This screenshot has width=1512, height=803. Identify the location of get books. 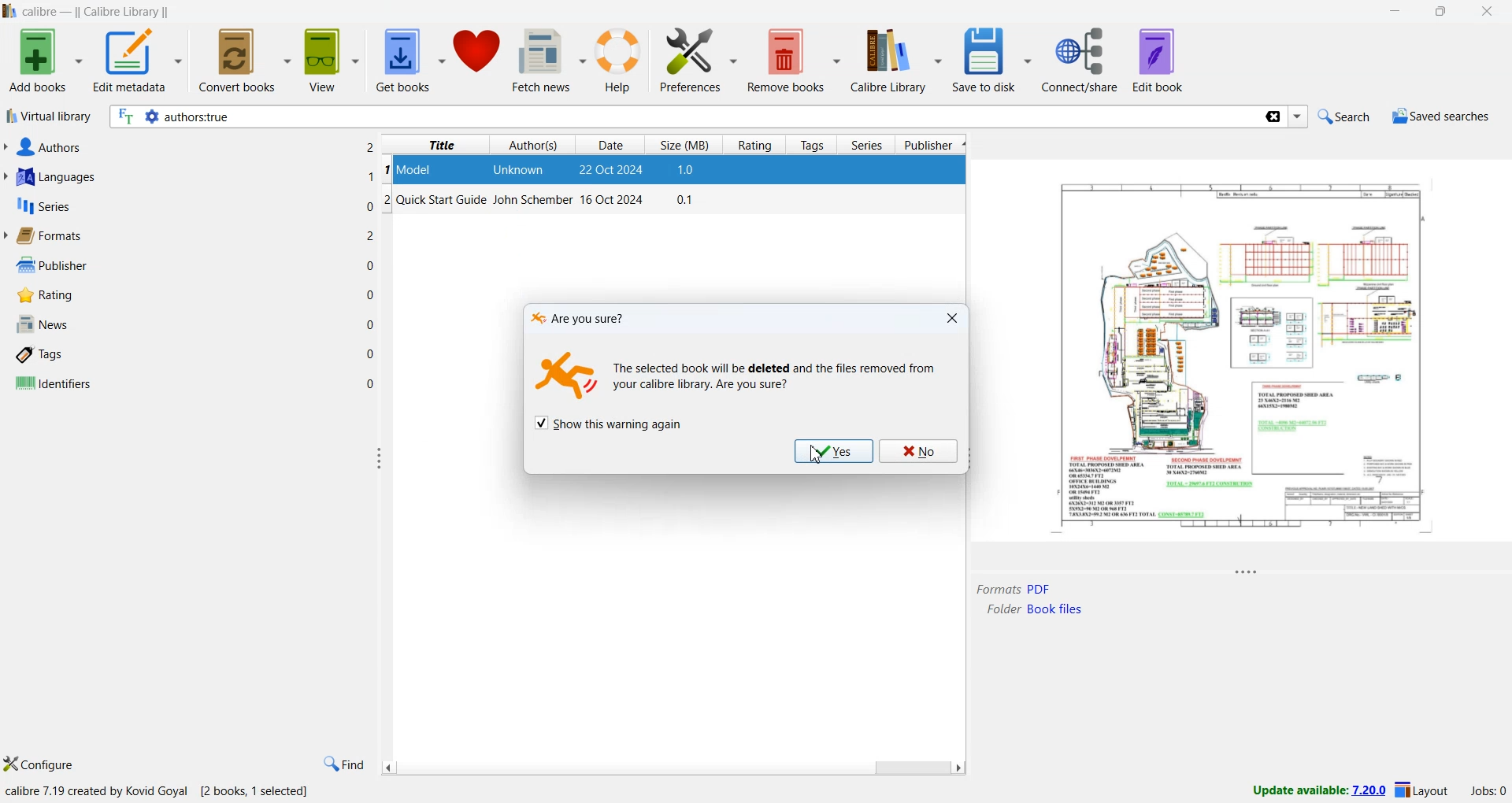
(410, 61).